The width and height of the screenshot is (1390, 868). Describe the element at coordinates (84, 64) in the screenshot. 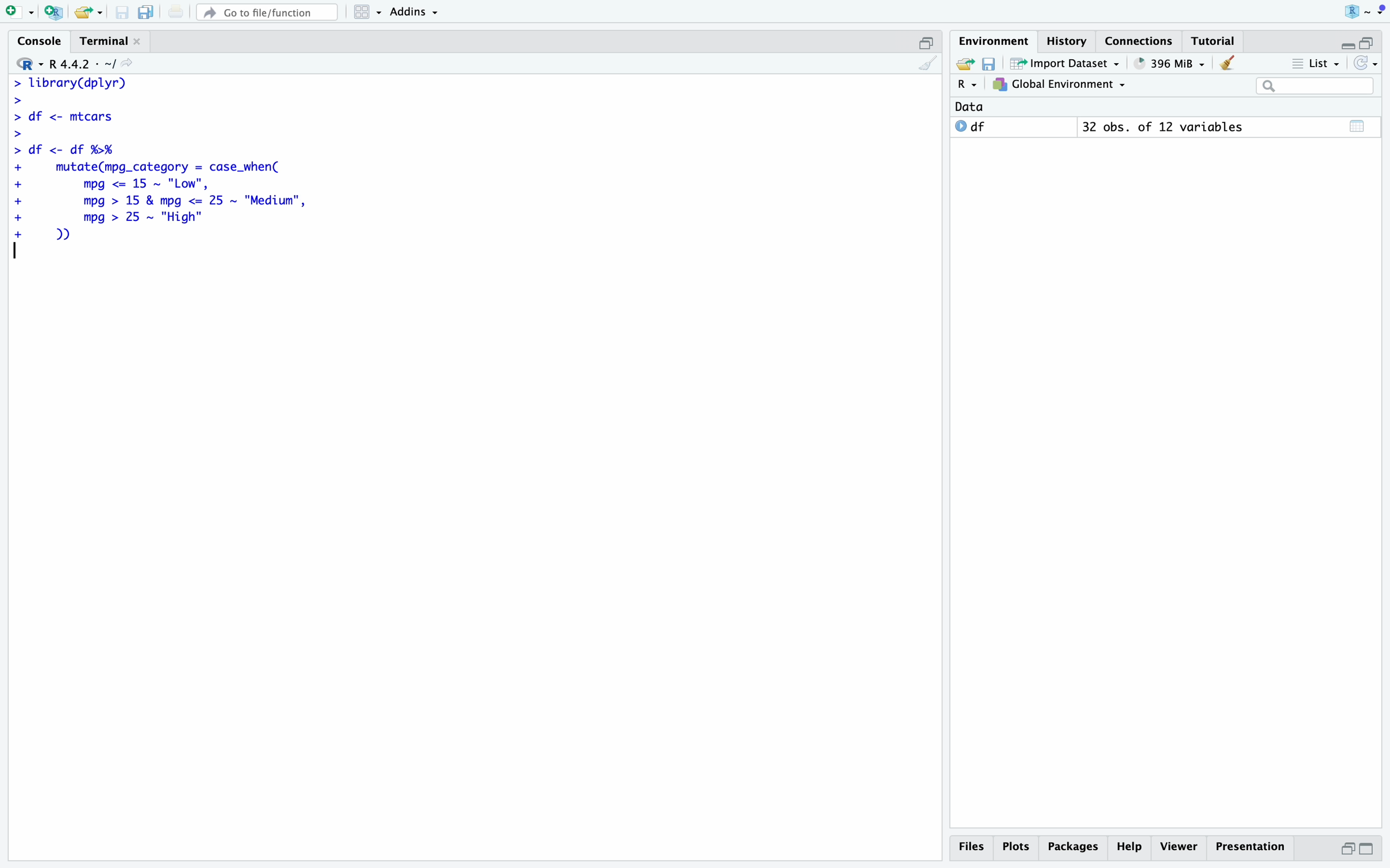

I see `R 4.4.2 ~/` at that location.